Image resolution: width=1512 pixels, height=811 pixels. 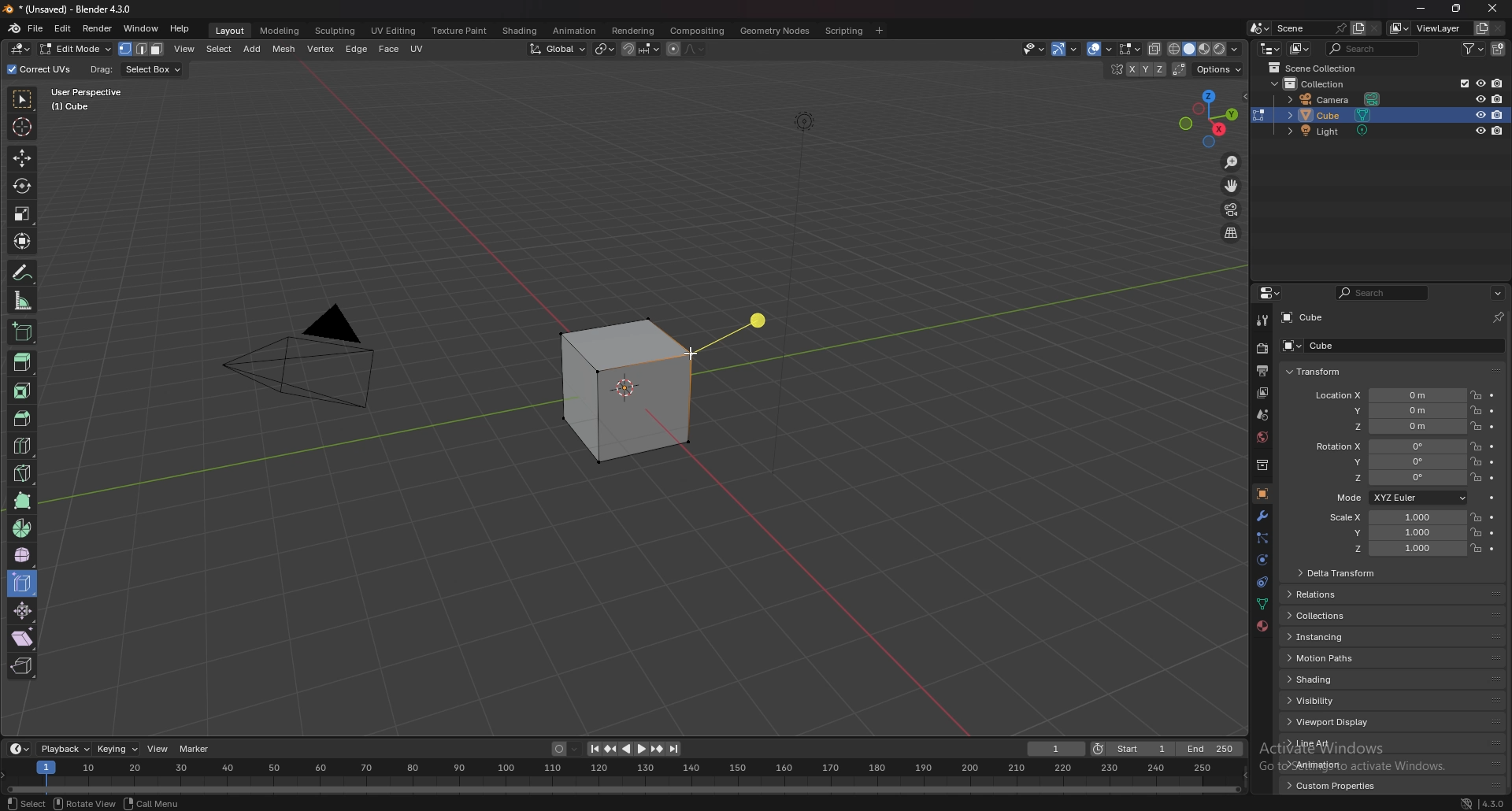 What do you see at coordinates (558, 49) in the screenshot?
I see `transformation orientation` at bounding box center [558, 49].